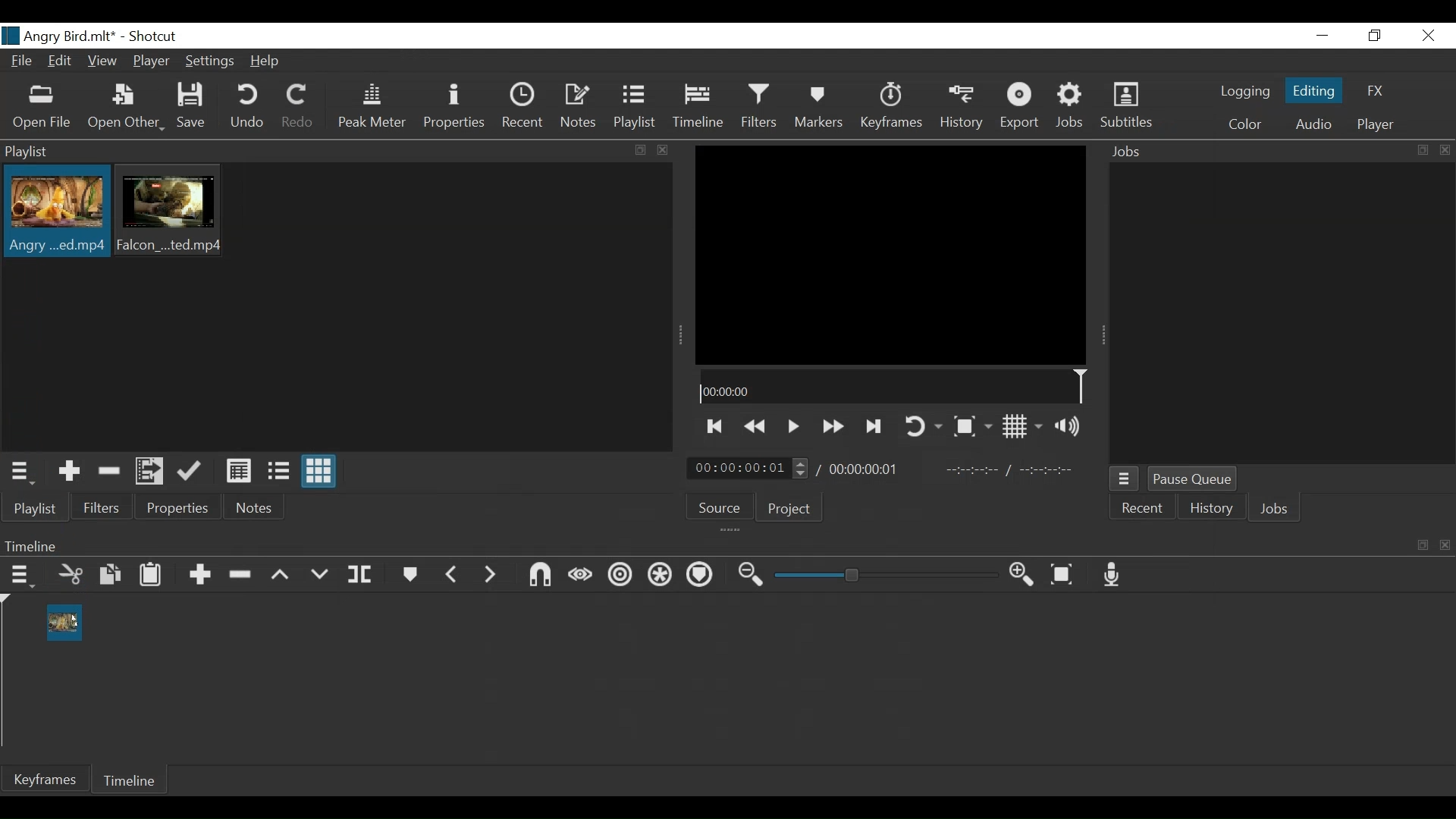 The height and width of the screenshot is (819, 1456). What do you see at coordinates (169, 210) in the screenshot?
I see `Clip` at bounding box center [169, 210].